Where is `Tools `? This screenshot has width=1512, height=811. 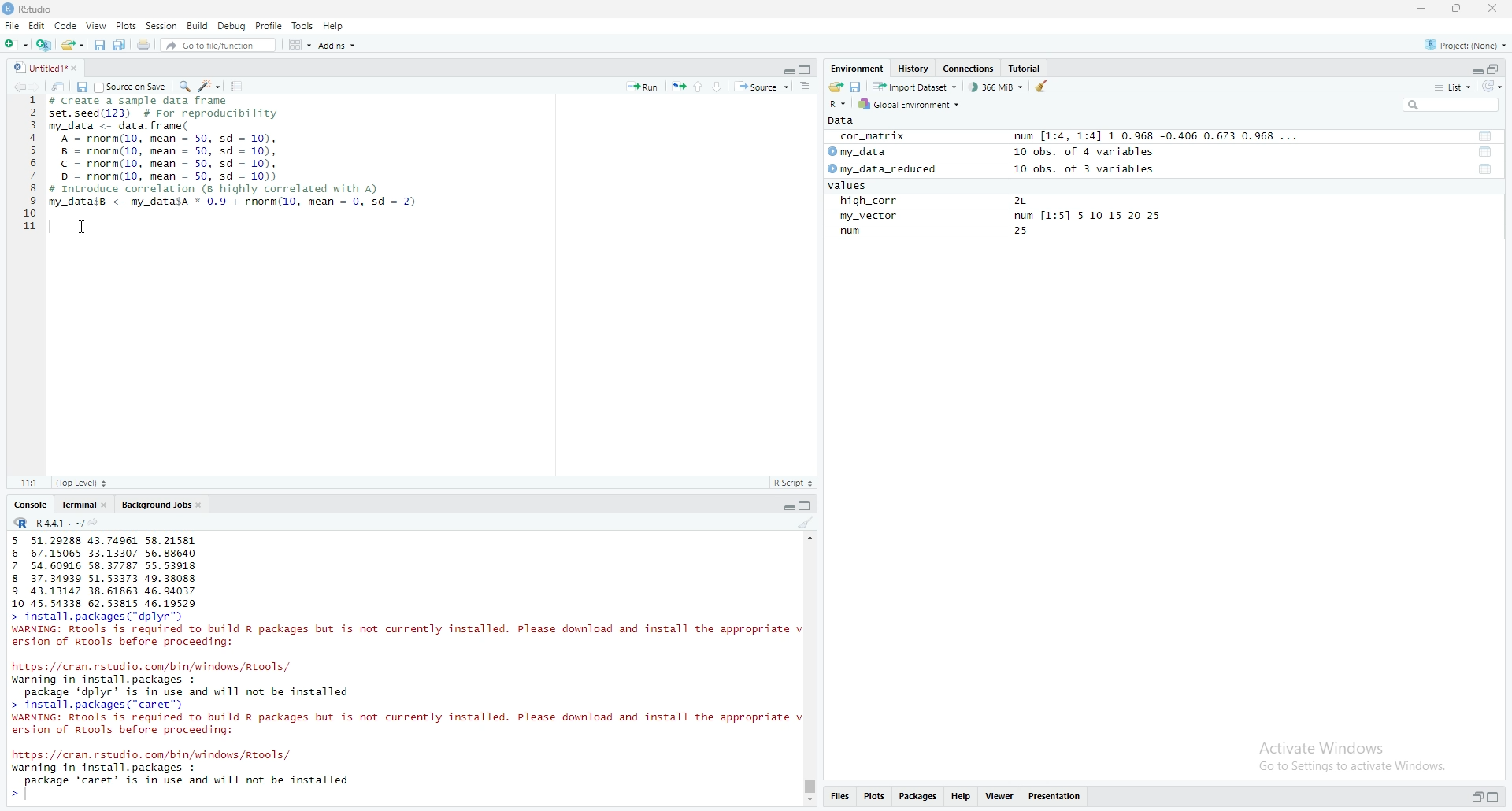
Tools  is located at coordinates (238, 85).